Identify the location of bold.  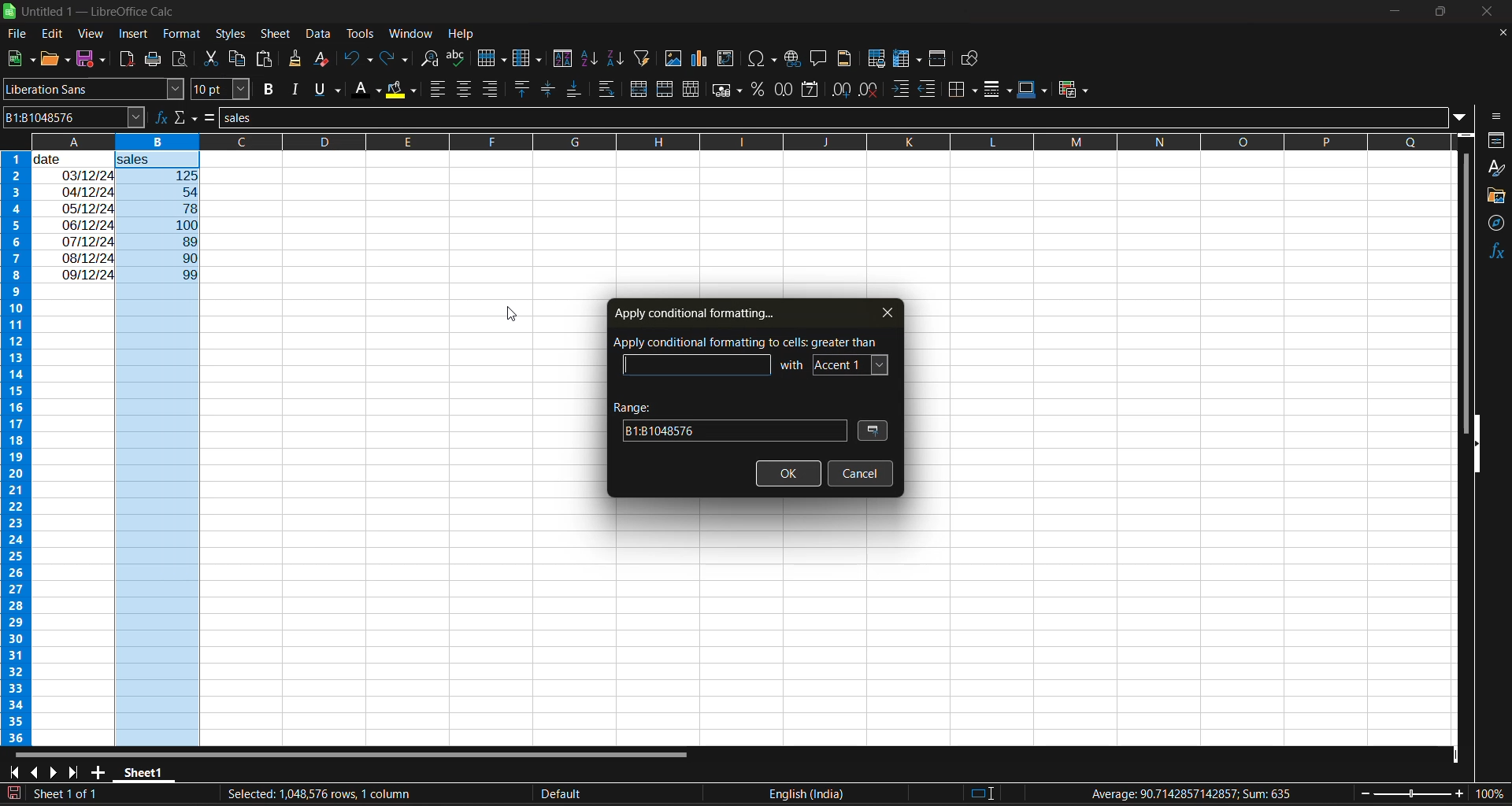
(272, 89).